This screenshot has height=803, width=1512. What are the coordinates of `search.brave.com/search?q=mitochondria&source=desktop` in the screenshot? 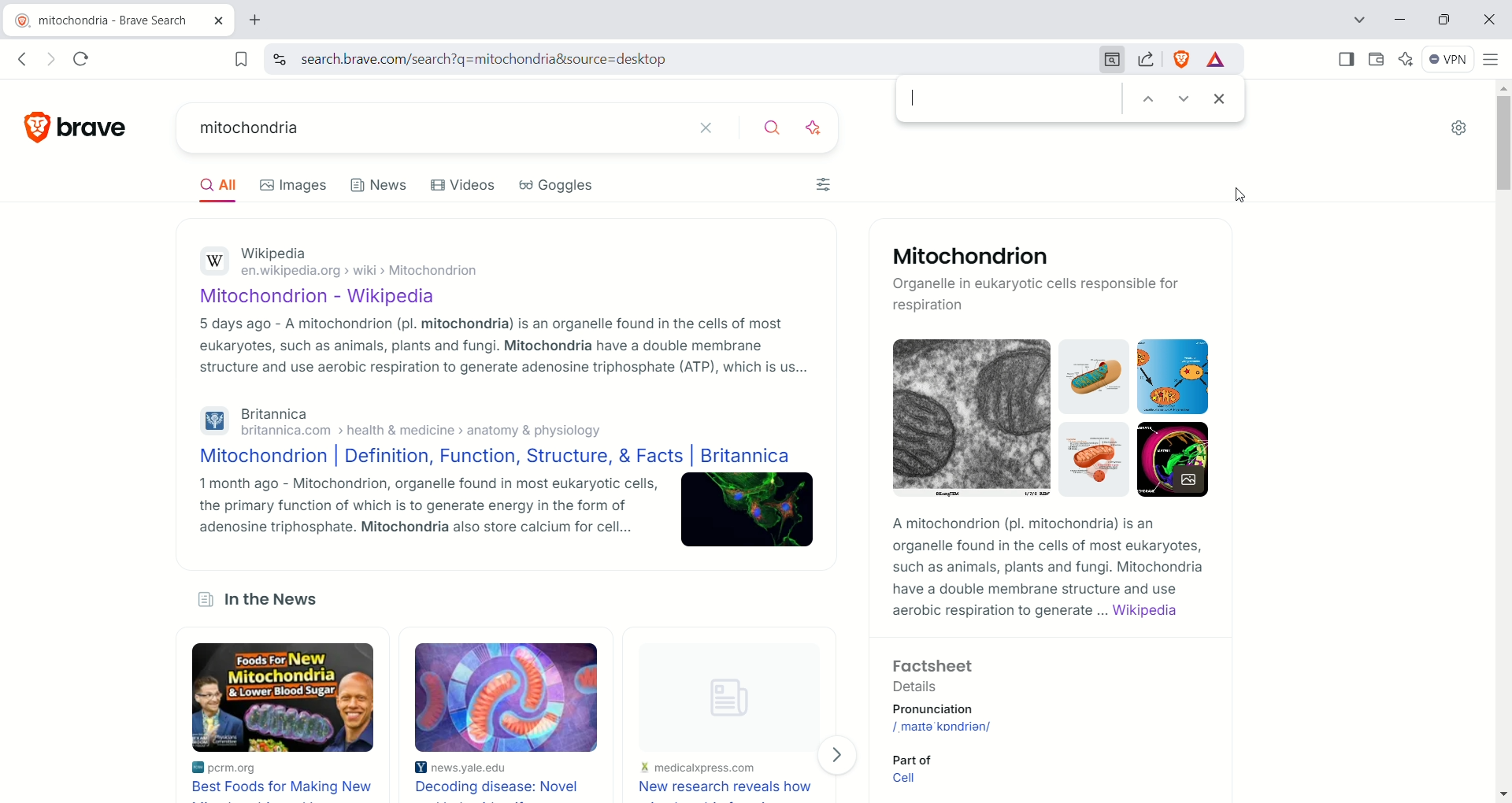 It's located at (692, 58).